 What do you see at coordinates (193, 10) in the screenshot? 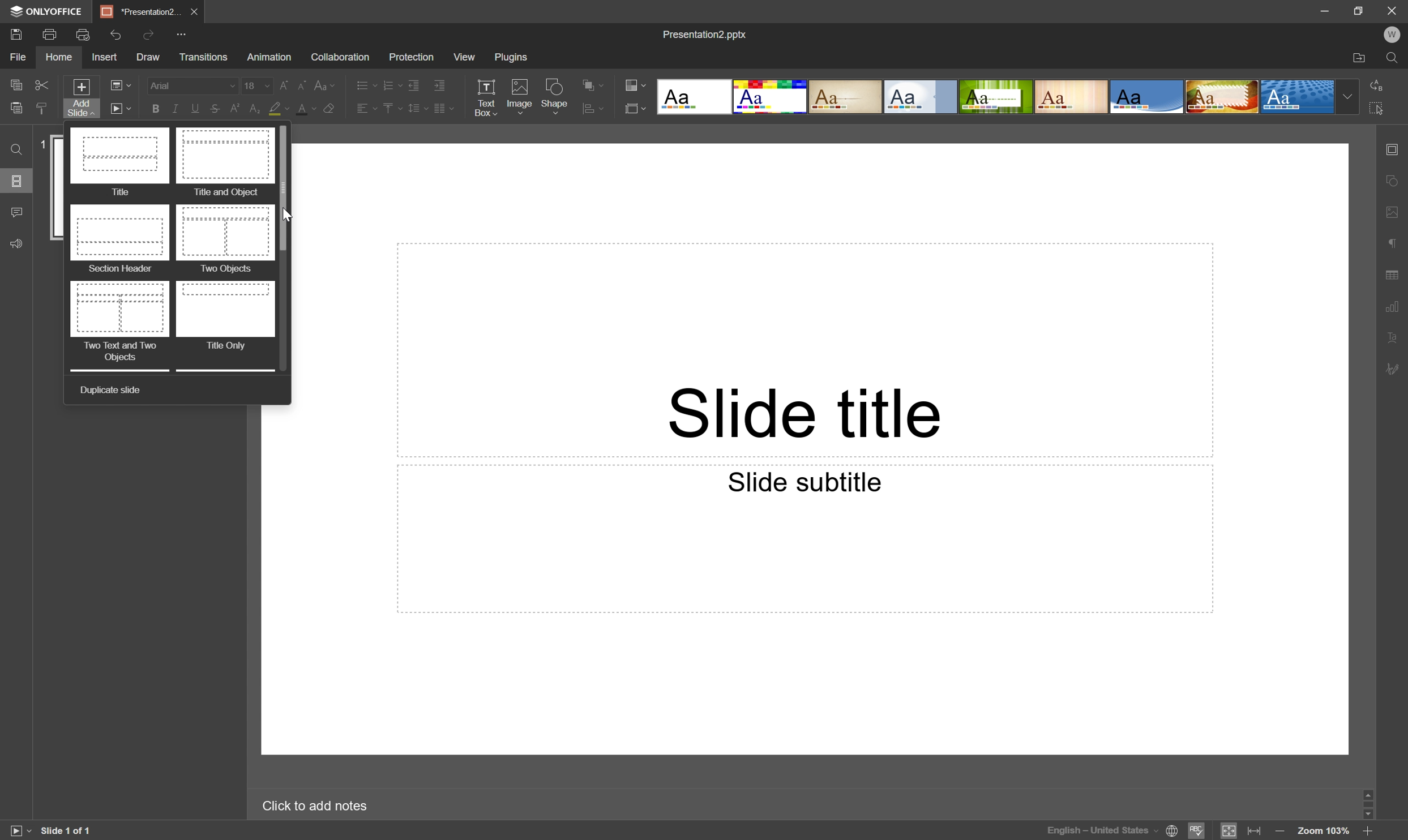
I see `Close` at bounding box center [193, 10].